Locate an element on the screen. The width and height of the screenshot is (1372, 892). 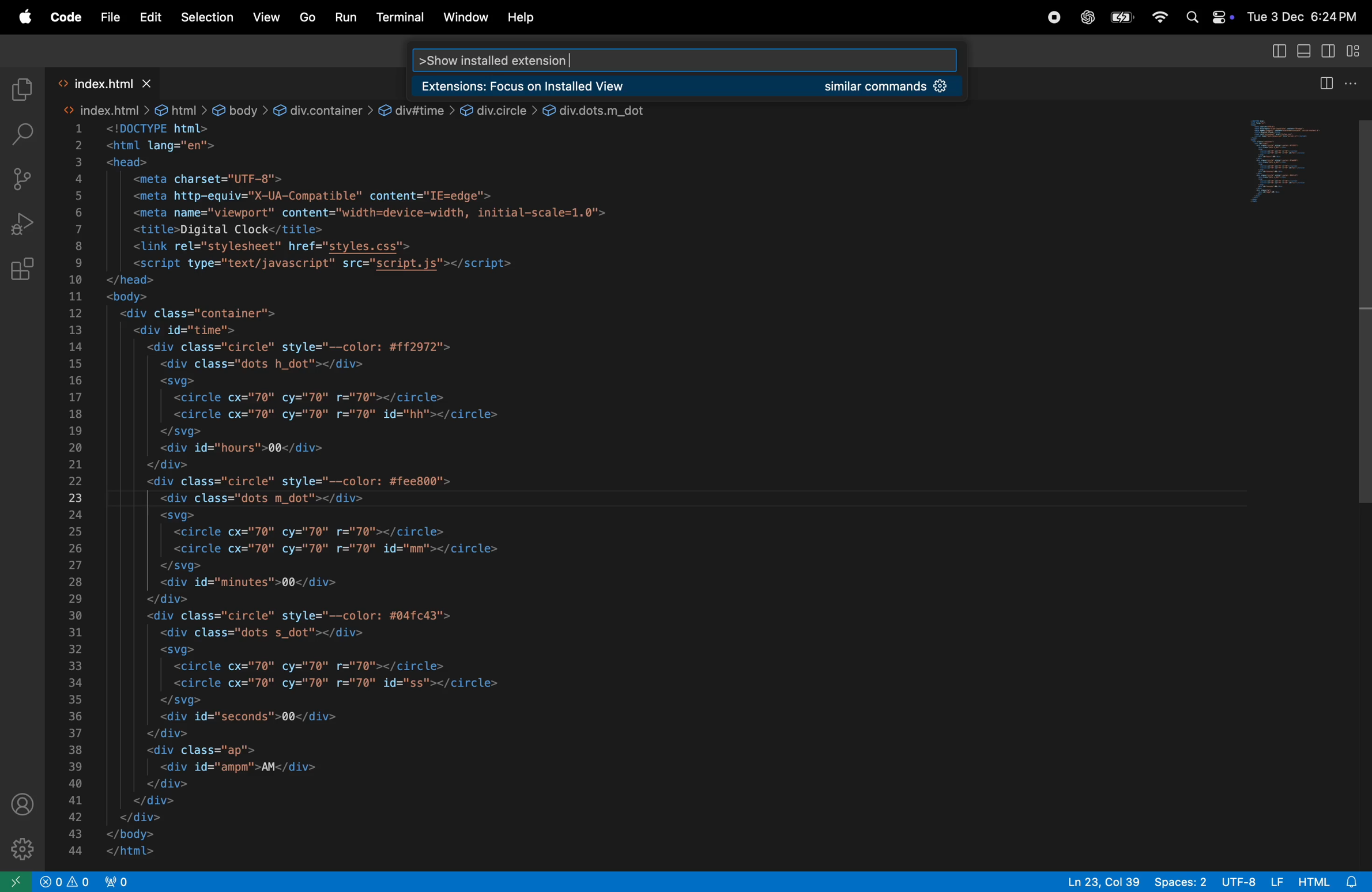
body is located at coordinates (240, 111).